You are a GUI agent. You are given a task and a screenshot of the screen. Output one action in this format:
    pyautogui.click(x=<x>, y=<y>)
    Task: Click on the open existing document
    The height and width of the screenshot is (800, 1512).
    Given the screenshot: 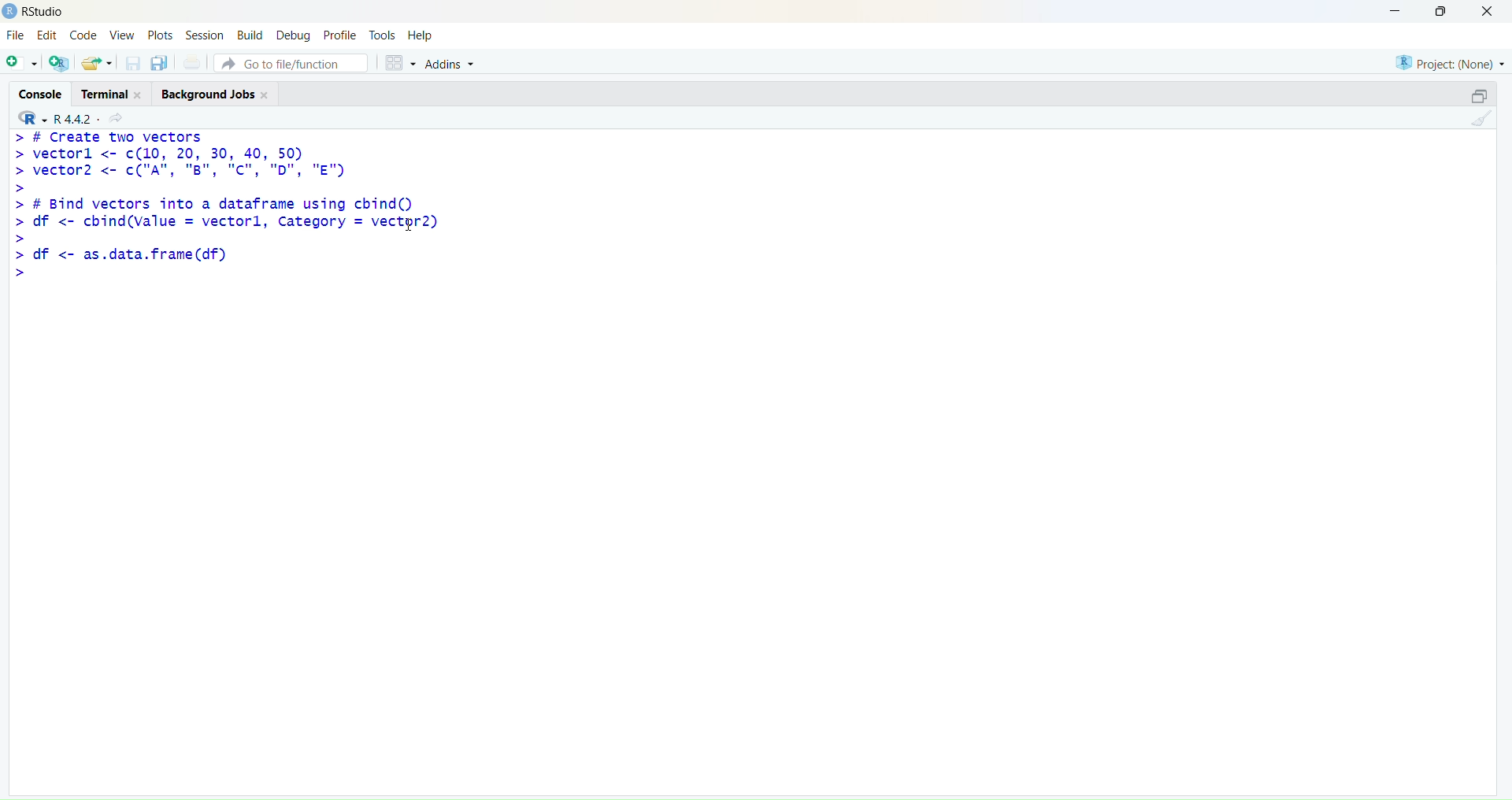 What is the action you would take?
    pyautogui.click(x=97, y=64)
    